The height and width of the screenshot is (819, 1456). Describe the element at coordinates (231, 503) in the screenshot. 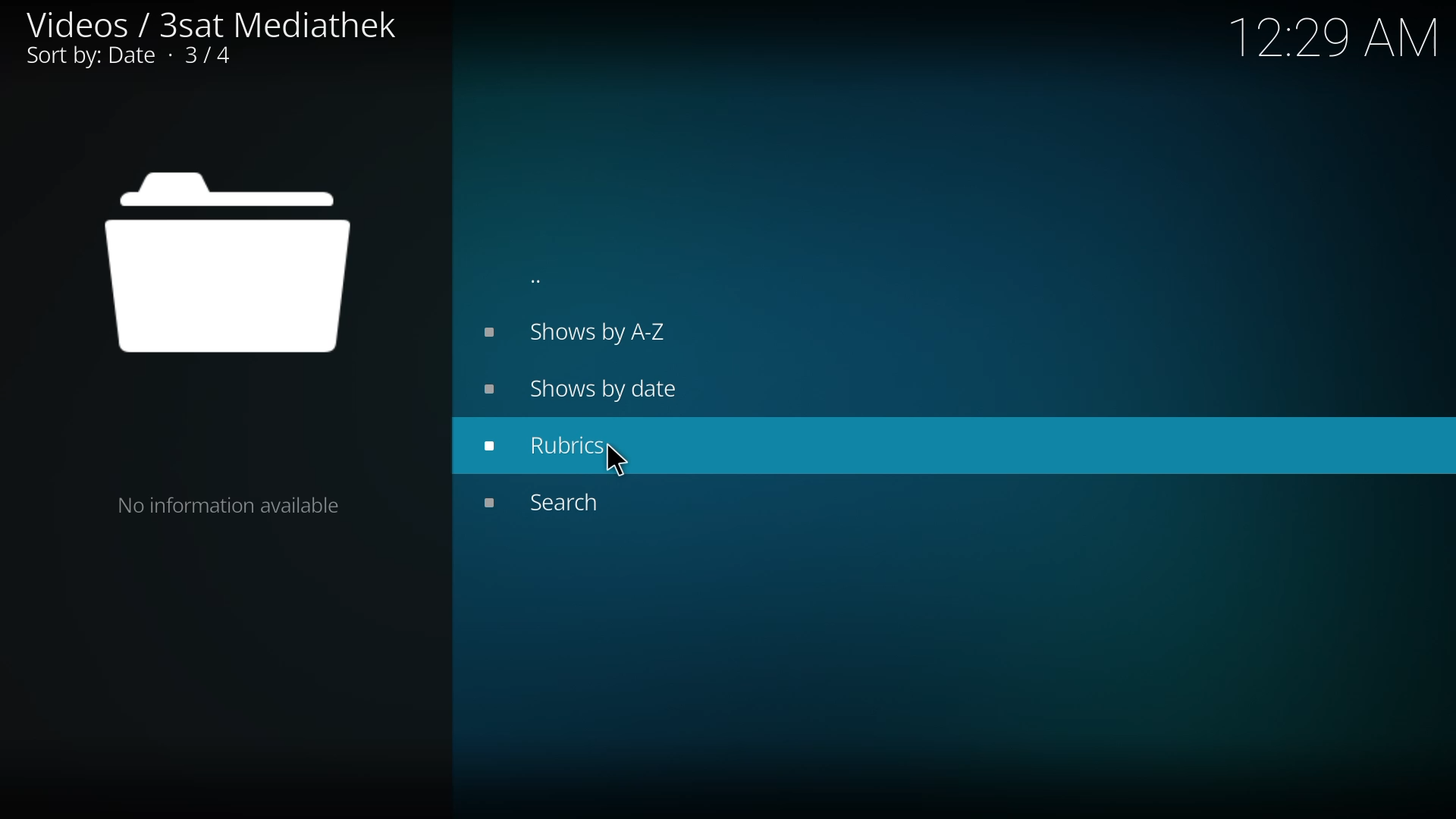

I see `no info available` at that location.